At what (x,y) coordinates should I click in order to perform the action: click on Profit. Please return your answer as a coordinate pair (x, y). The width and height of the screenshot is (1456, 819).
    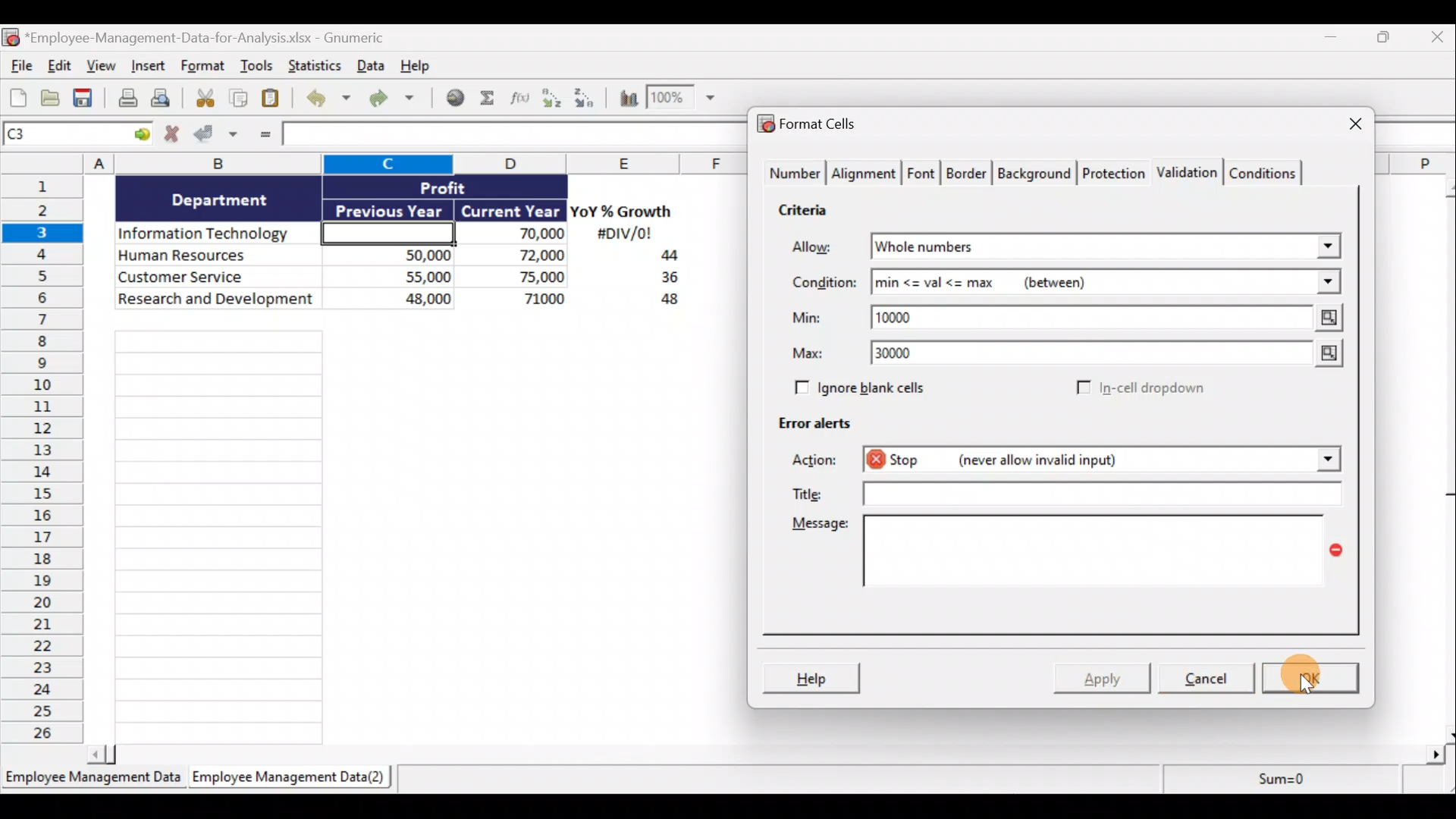
    Looking at the image, I should click on (468, 187).